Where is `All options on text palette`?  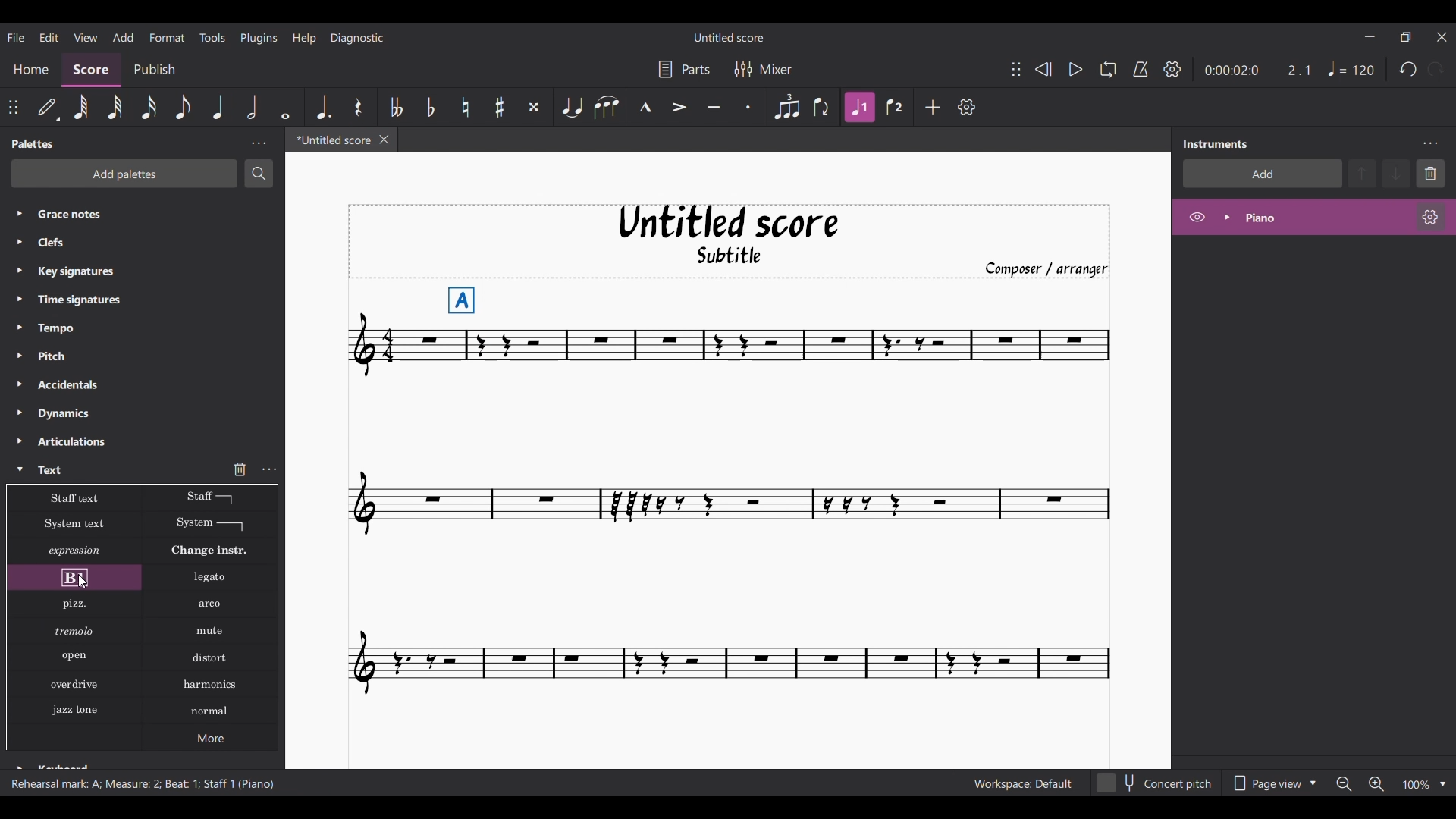
All options on text palette is located at coordinates (143, 619).